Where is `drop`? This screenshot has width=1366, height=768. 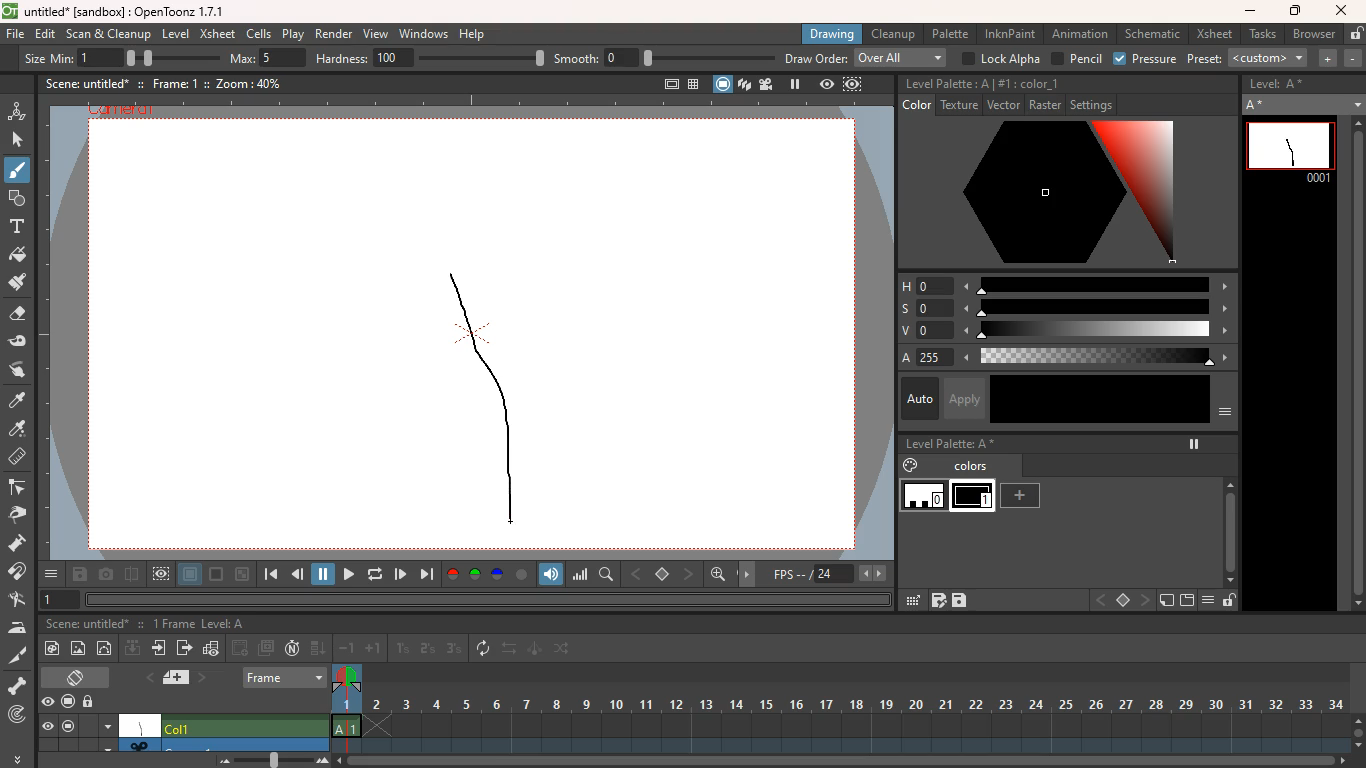 drop is located at coordinates (19, 430).